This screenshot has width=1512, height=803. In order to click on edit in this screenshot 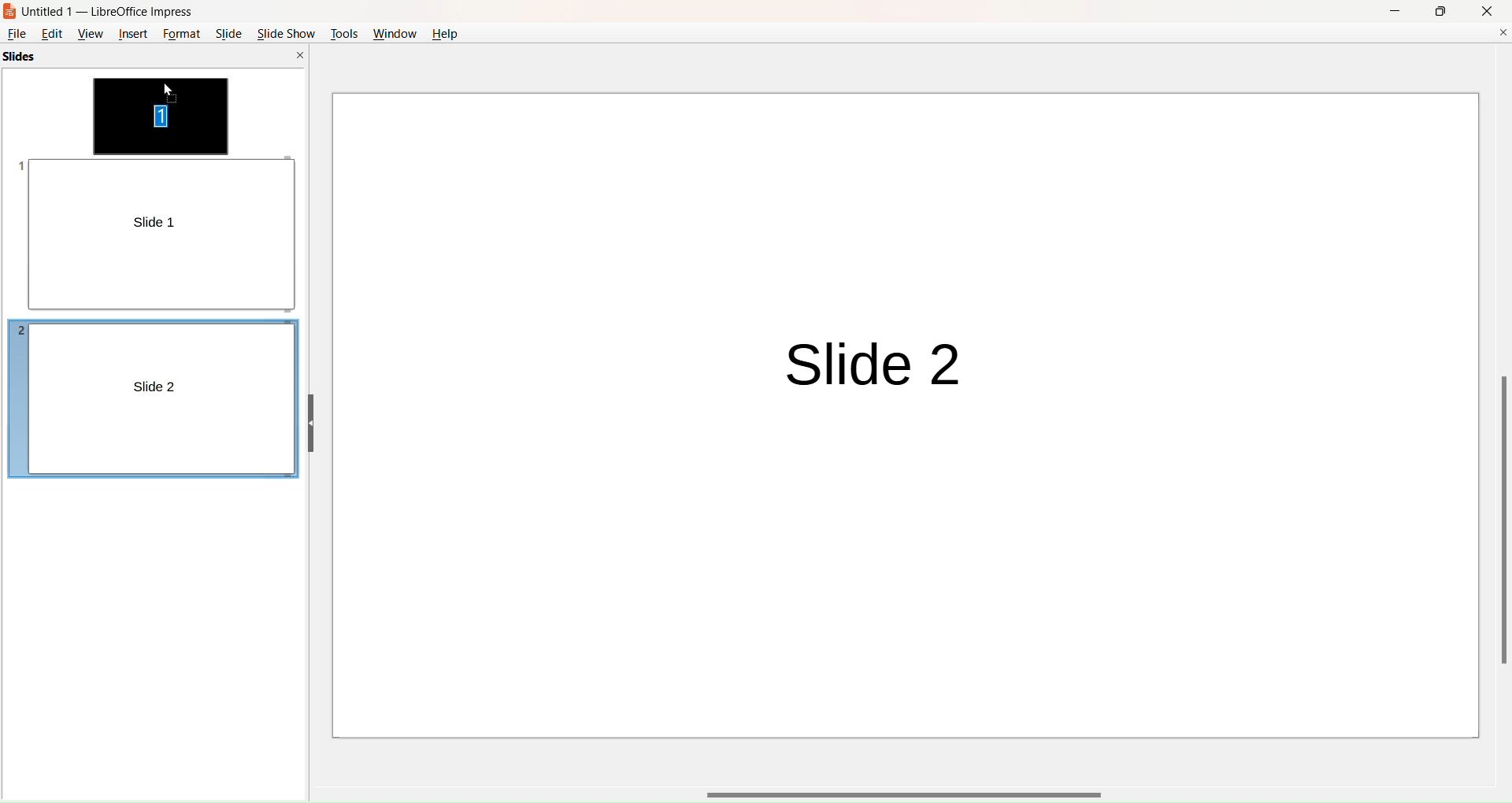, I will do `click(55, 35)`.